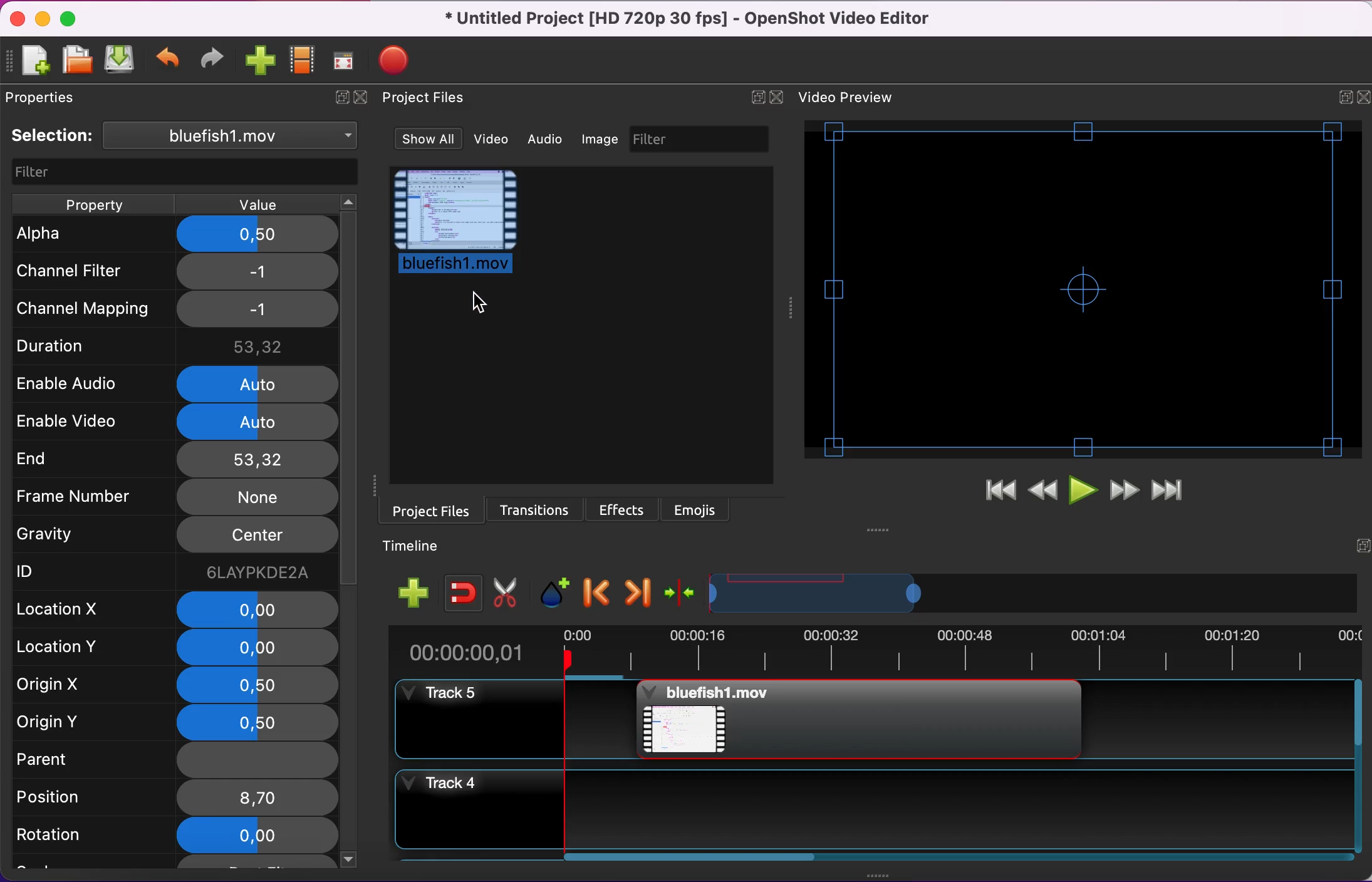 The image size is (1372, 882). I want to click on none, so click(256, 497).